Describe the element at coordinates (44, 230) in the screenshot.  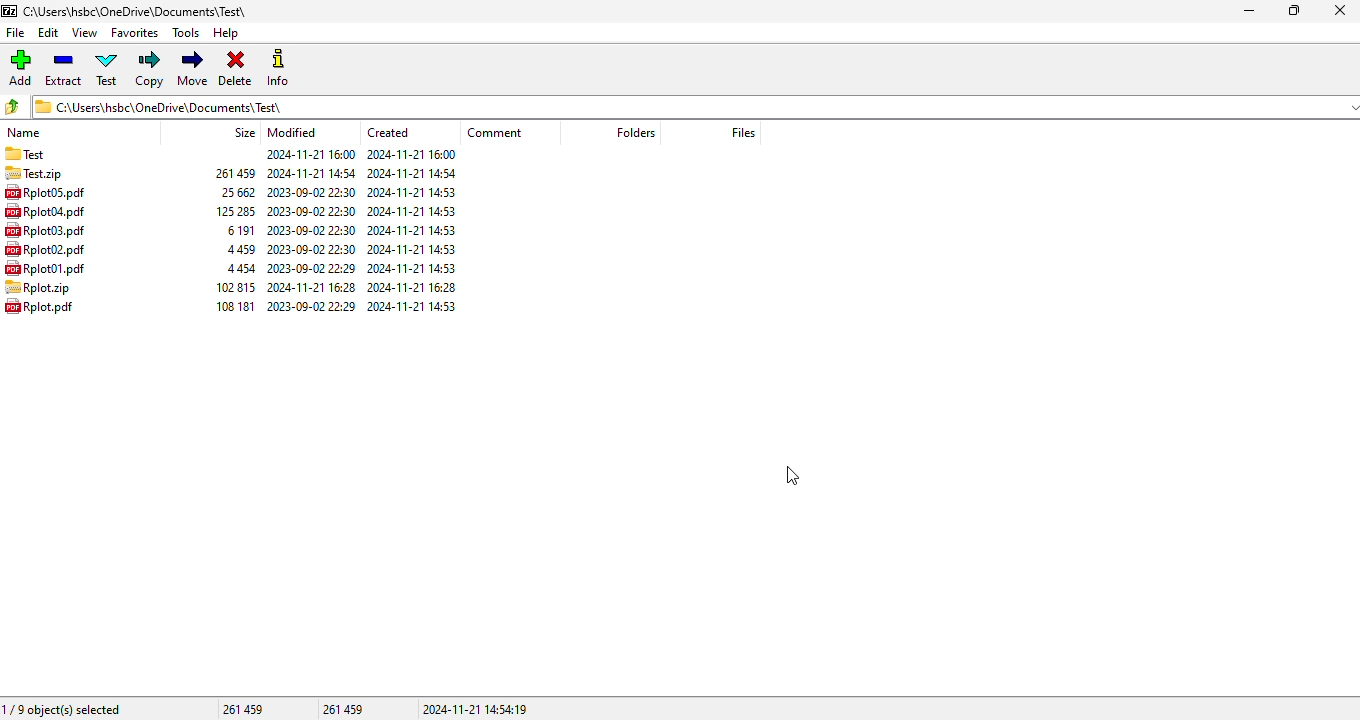
I see `file name` at that location.